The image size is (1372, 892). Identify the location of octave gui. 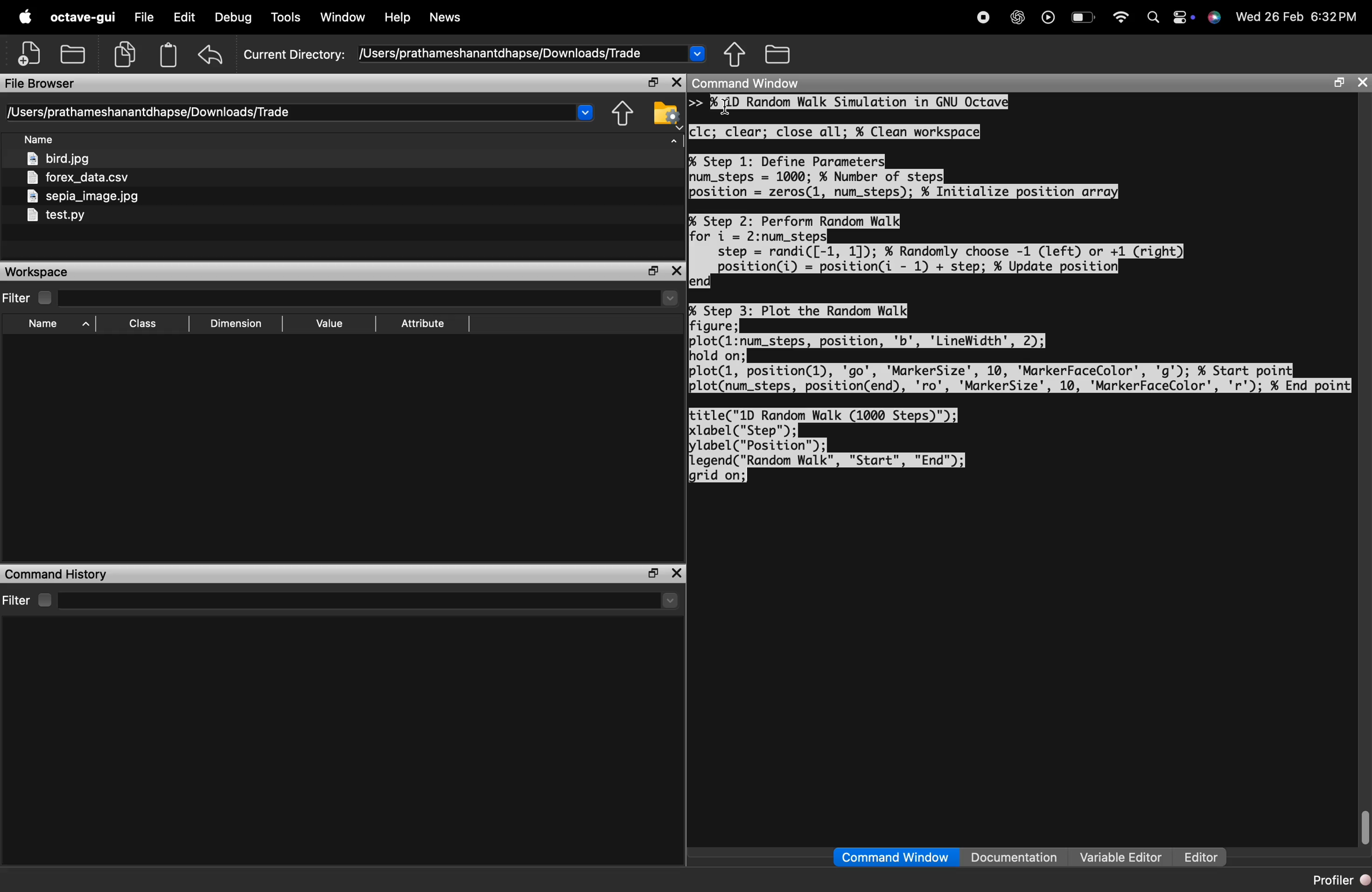
(82, 17).